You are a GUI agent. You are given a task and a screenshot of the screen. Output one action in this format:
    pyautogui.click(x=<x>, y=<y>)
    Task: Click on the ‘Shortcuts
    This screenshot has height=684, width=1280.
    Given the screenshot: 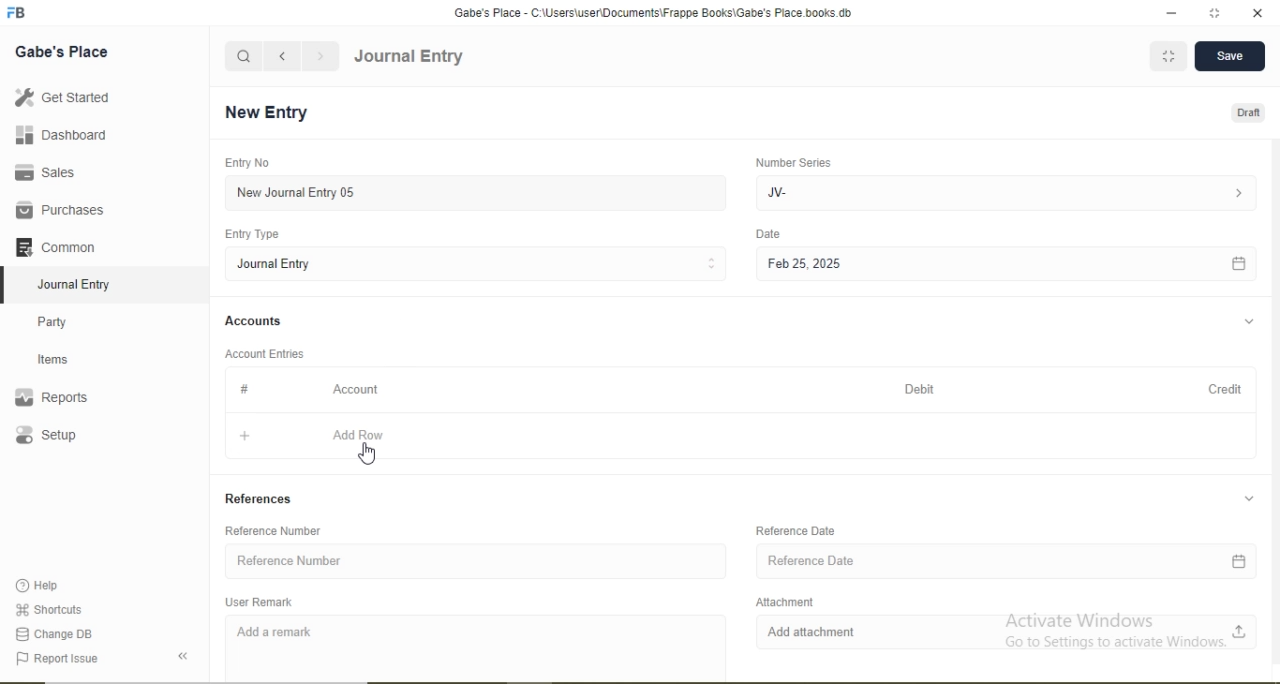 What is the action you would take?
    pyautogui.click(x=51, y=608)
    